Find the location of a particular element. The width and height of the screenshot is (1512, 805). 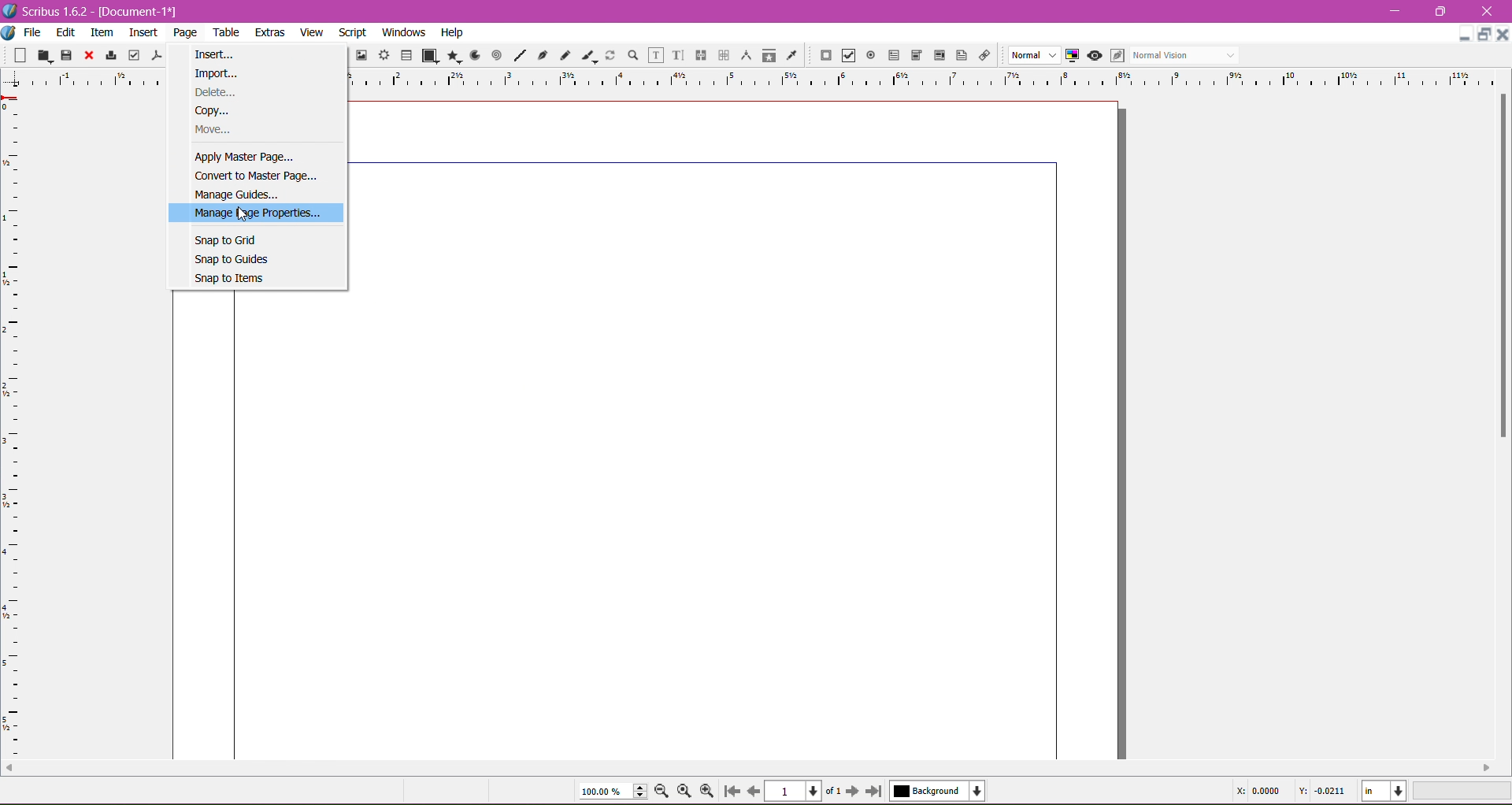

Close is located at coordinates (87, 56).